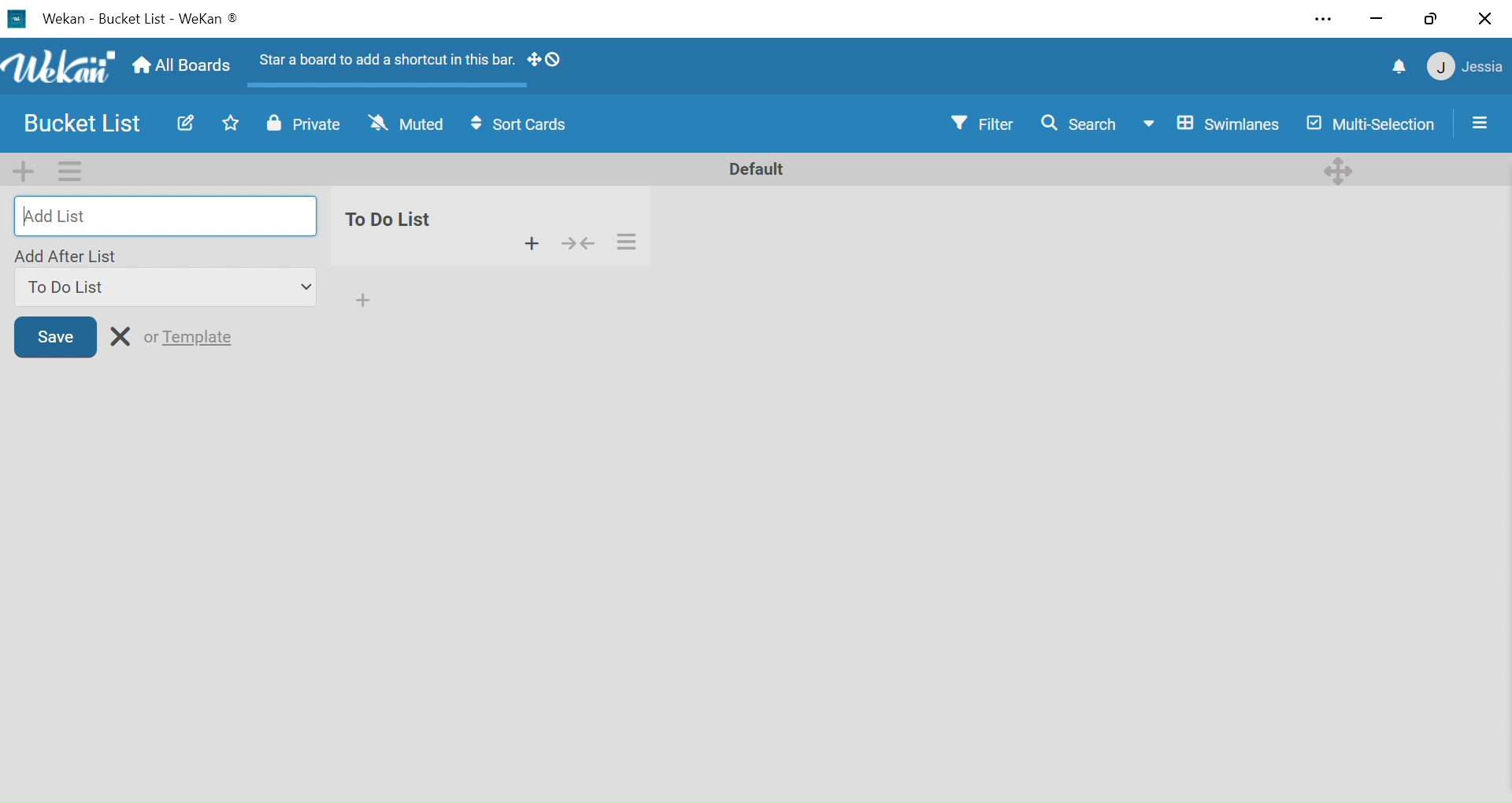  Describe the element at coordinates (120, 335) in the screenshot. I see `Rename` at that location.